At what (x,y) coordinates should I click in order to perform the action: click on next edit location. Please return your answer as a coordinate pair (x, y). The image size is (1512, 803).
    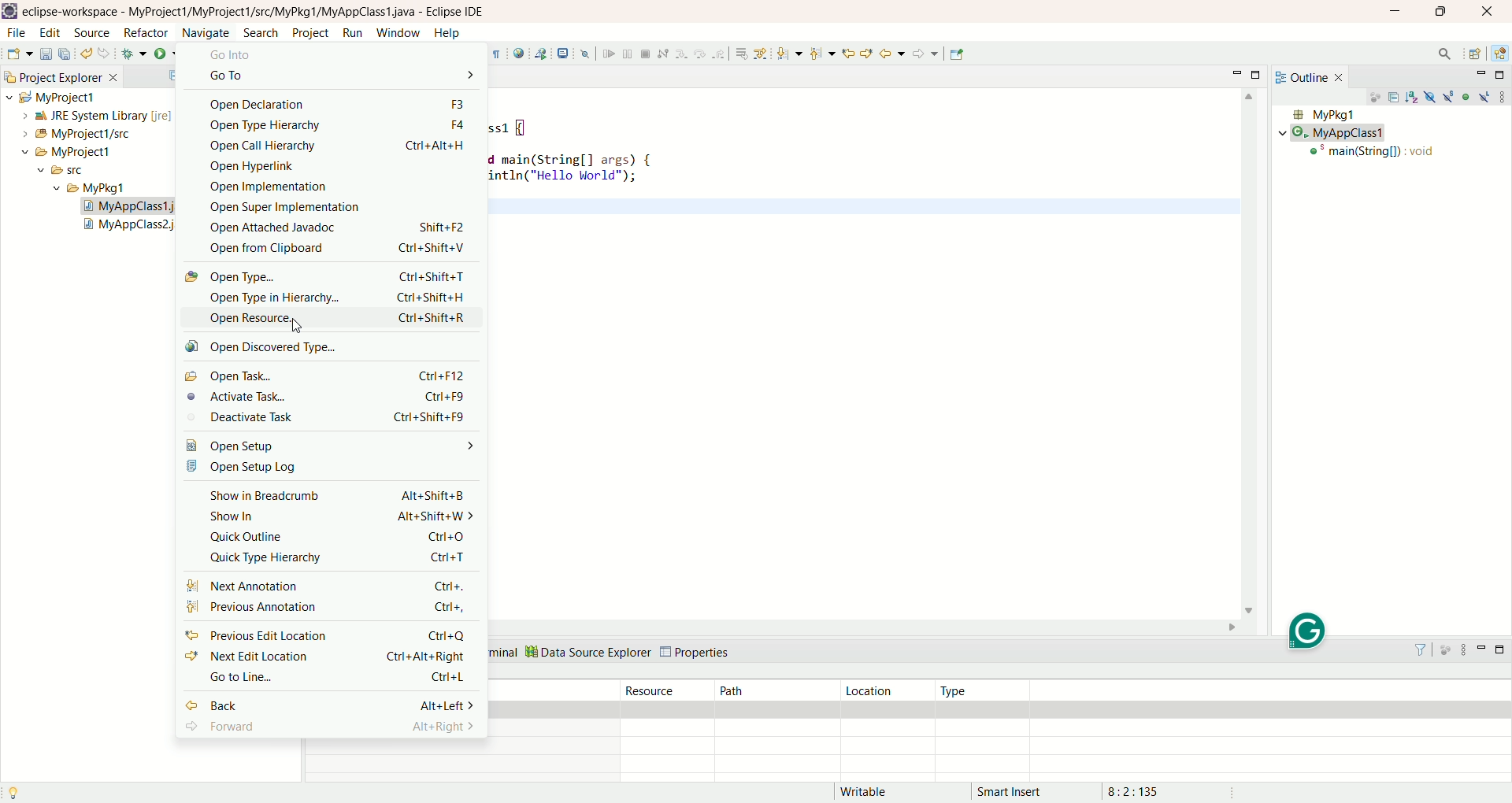
    Looking at the image, I should click on (327, 659).